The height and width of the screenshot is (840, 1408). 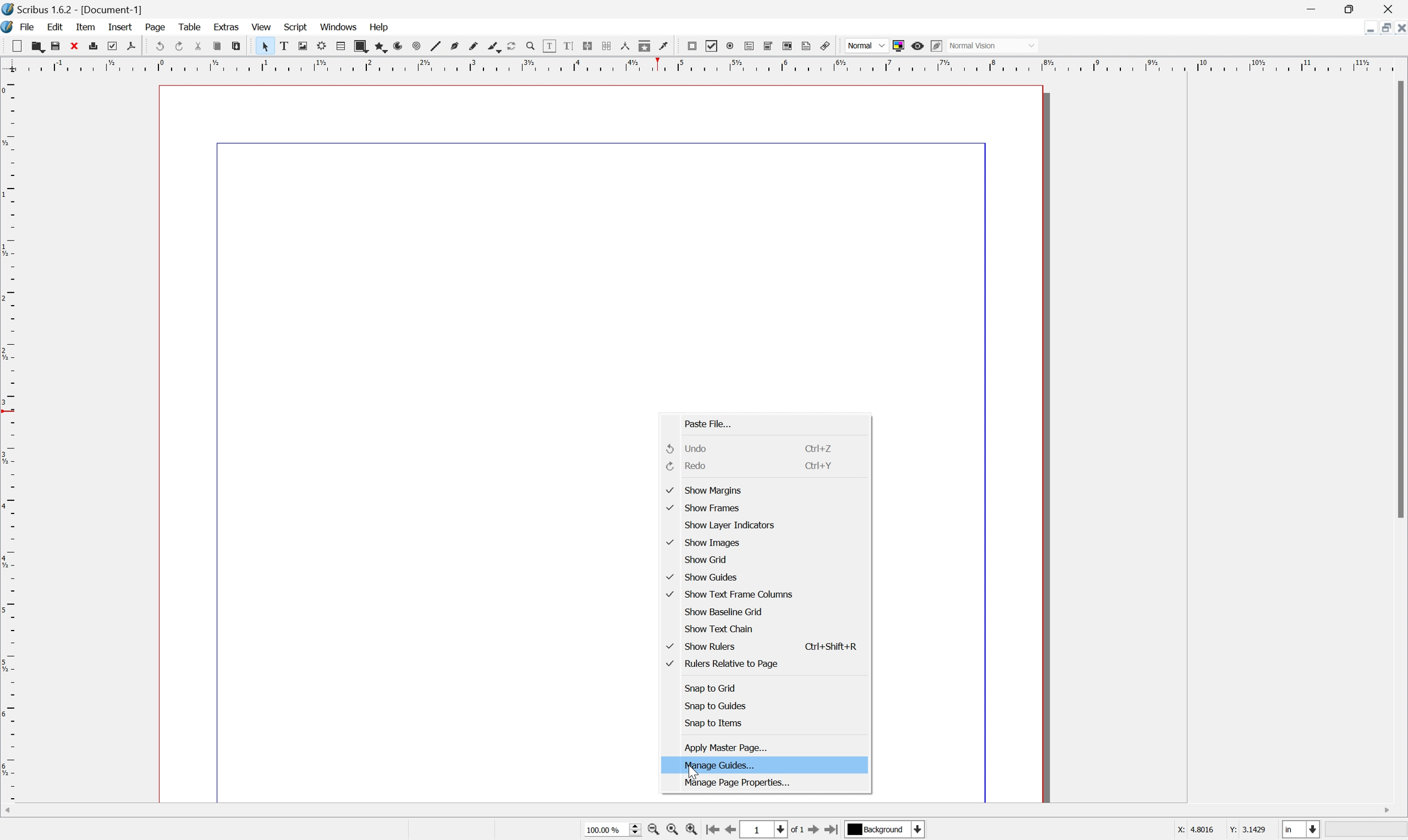 I want to click on page, so click(x=155, y=27).